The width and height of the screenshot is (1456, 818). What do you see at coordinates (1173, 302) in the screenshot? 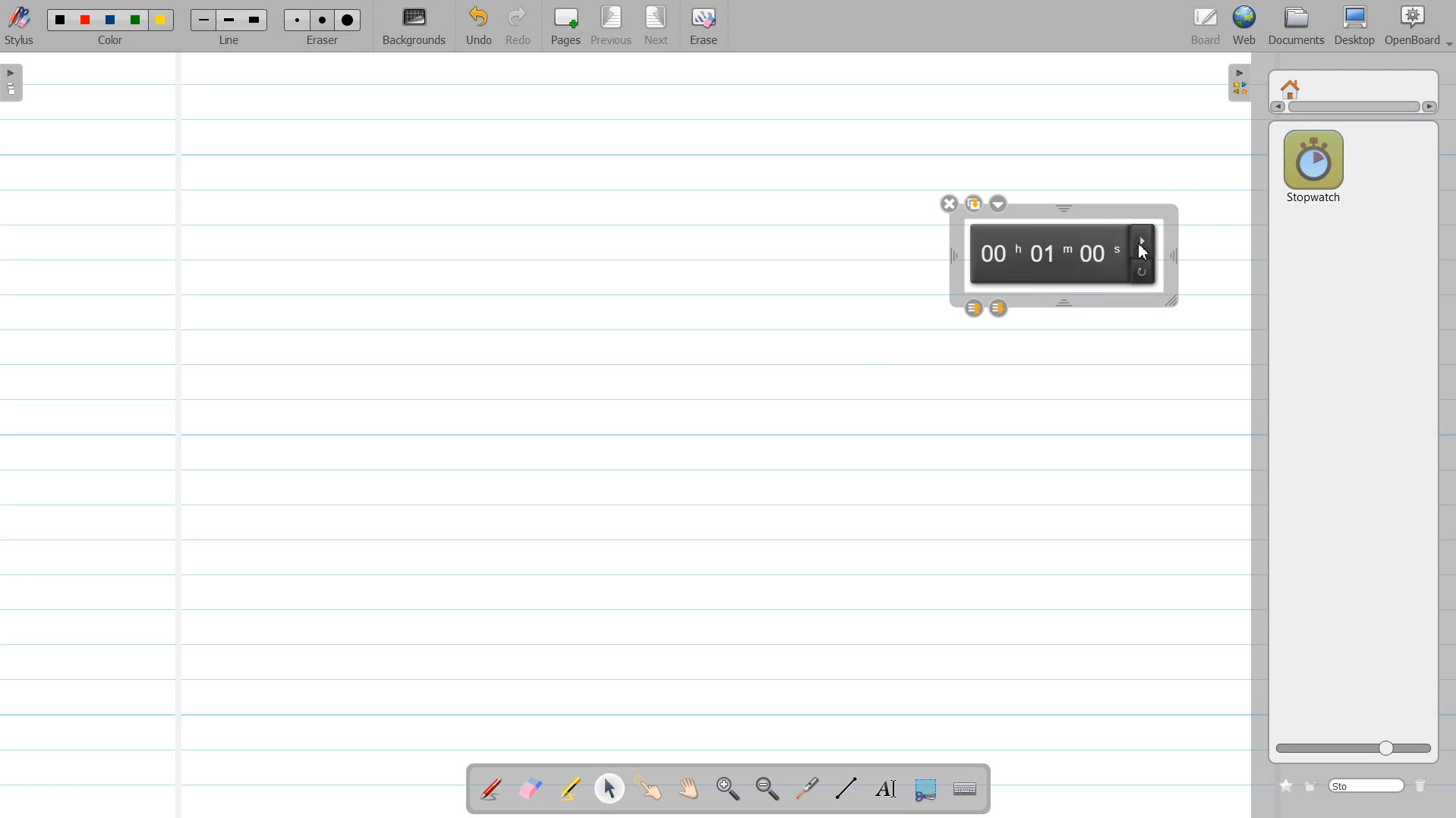
I see `Time window Size adjustment` at bounding box center [1173, 302].